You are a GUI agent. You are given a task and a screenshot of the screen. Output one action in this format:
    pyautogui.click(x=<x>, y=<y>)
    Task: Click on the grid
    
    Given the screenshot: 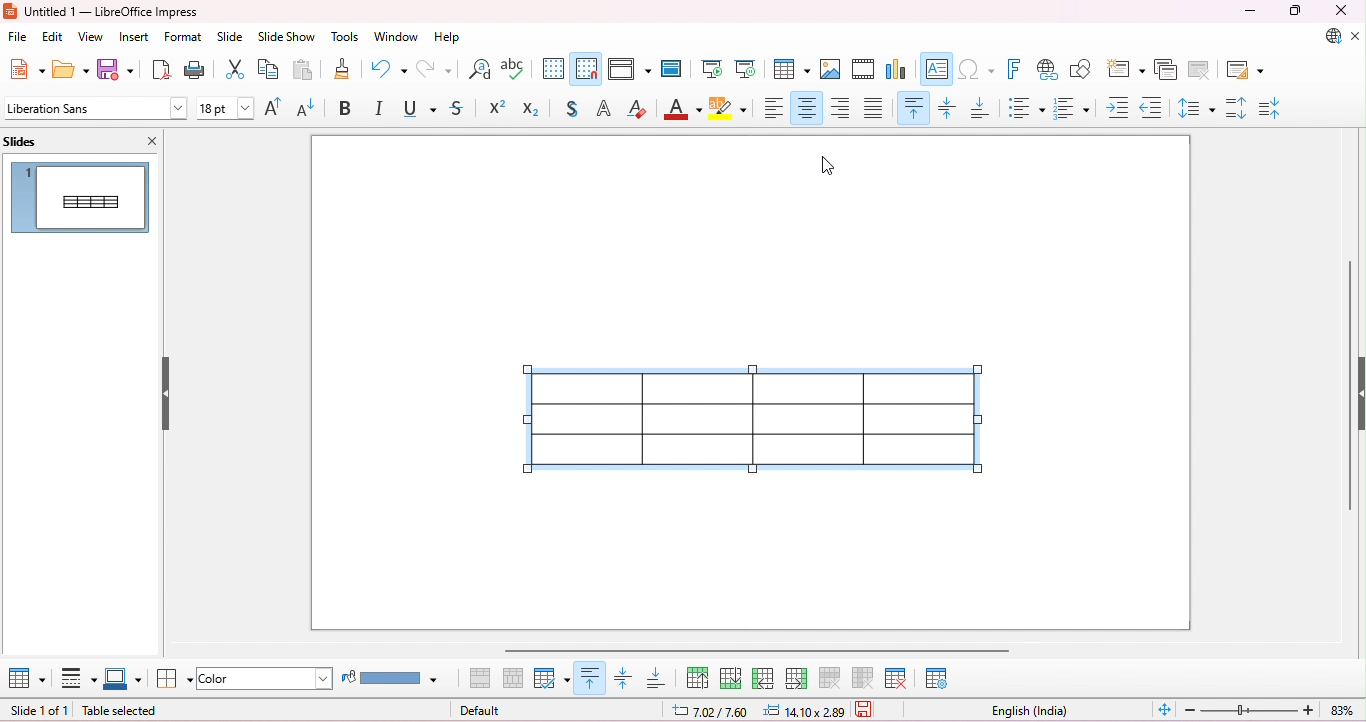 What is the action you would take?
    pyautogui.click(x=552, y=67)
    